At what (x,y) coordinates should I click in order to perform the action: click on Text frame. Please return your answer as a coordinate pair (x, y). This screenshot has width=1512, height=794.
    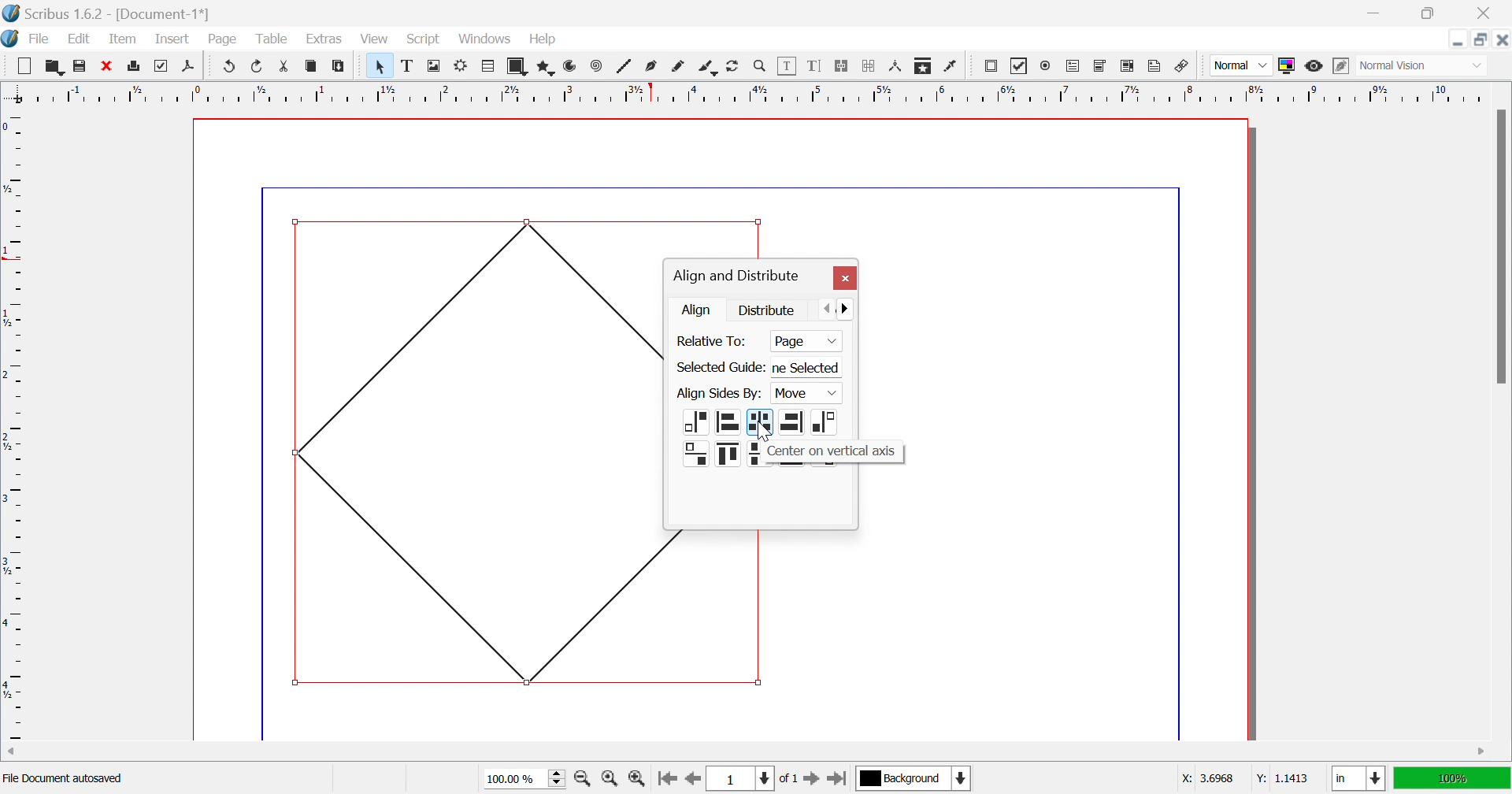
    Looking at the image, I should click on (409, 65).